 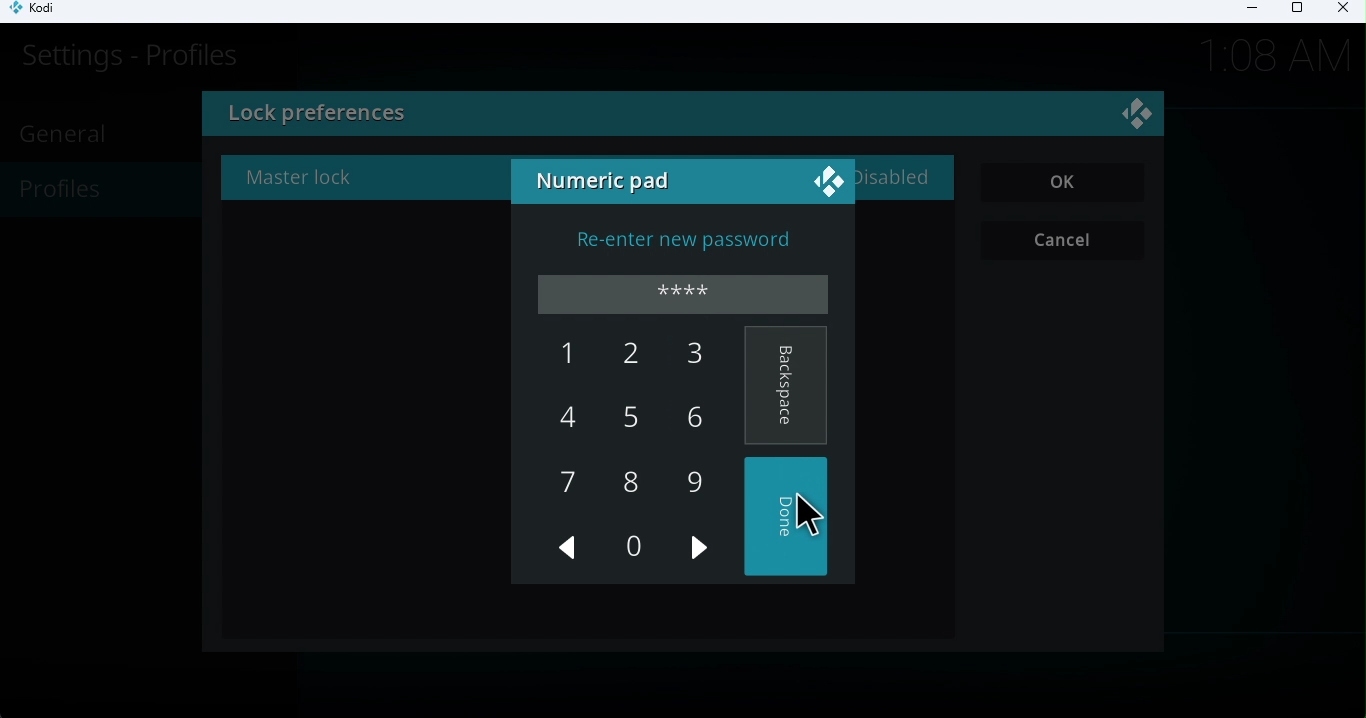 I want to click on 8, so click(x=629, y=482).